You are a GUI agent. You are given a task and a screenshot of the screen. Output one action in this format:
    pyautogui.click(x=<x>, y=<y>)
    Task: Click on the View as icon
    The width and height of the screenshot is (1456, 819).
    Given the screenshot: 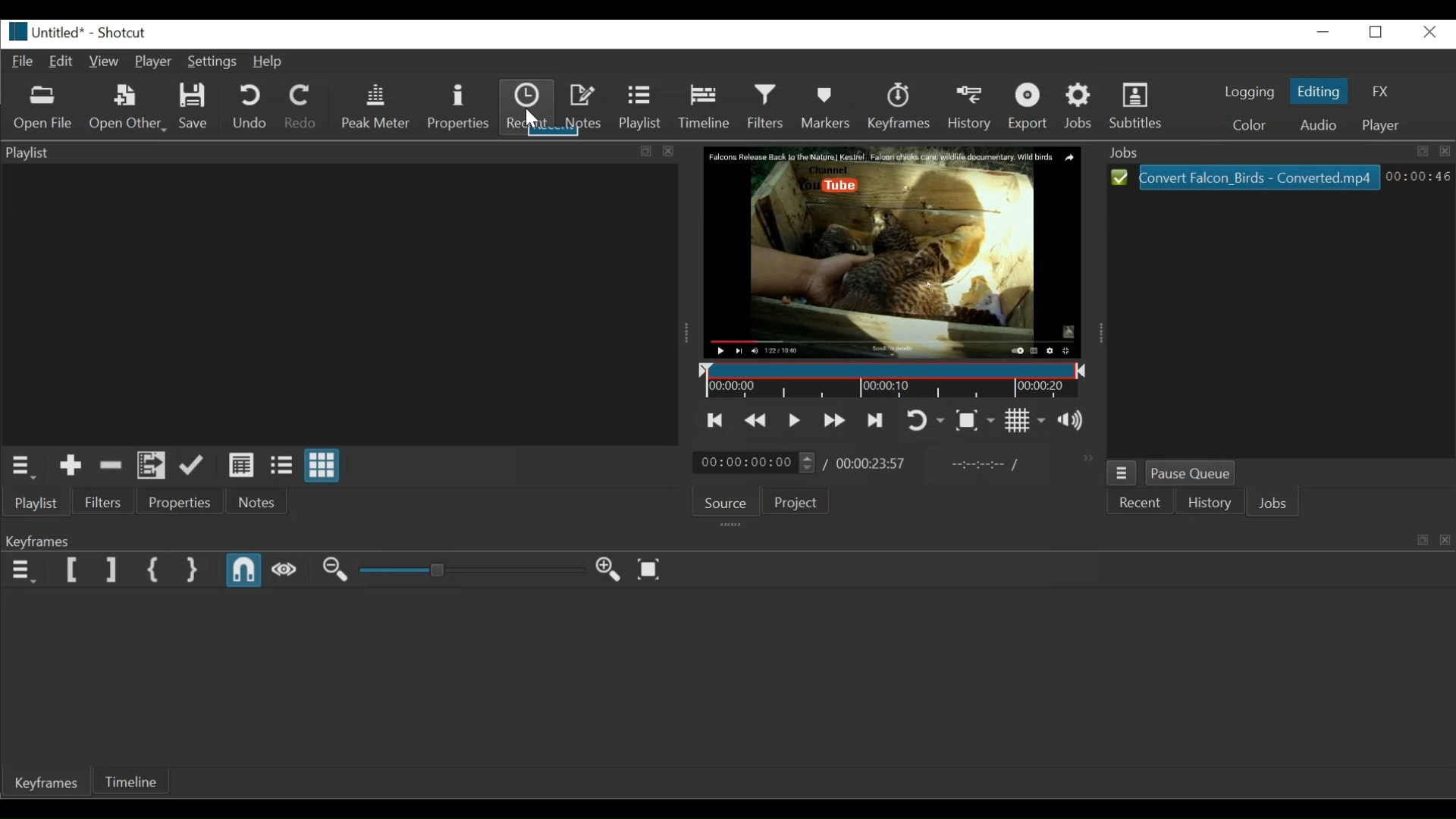 What is the action you would take?
    pyautogui.click(x=322, y=466)
    